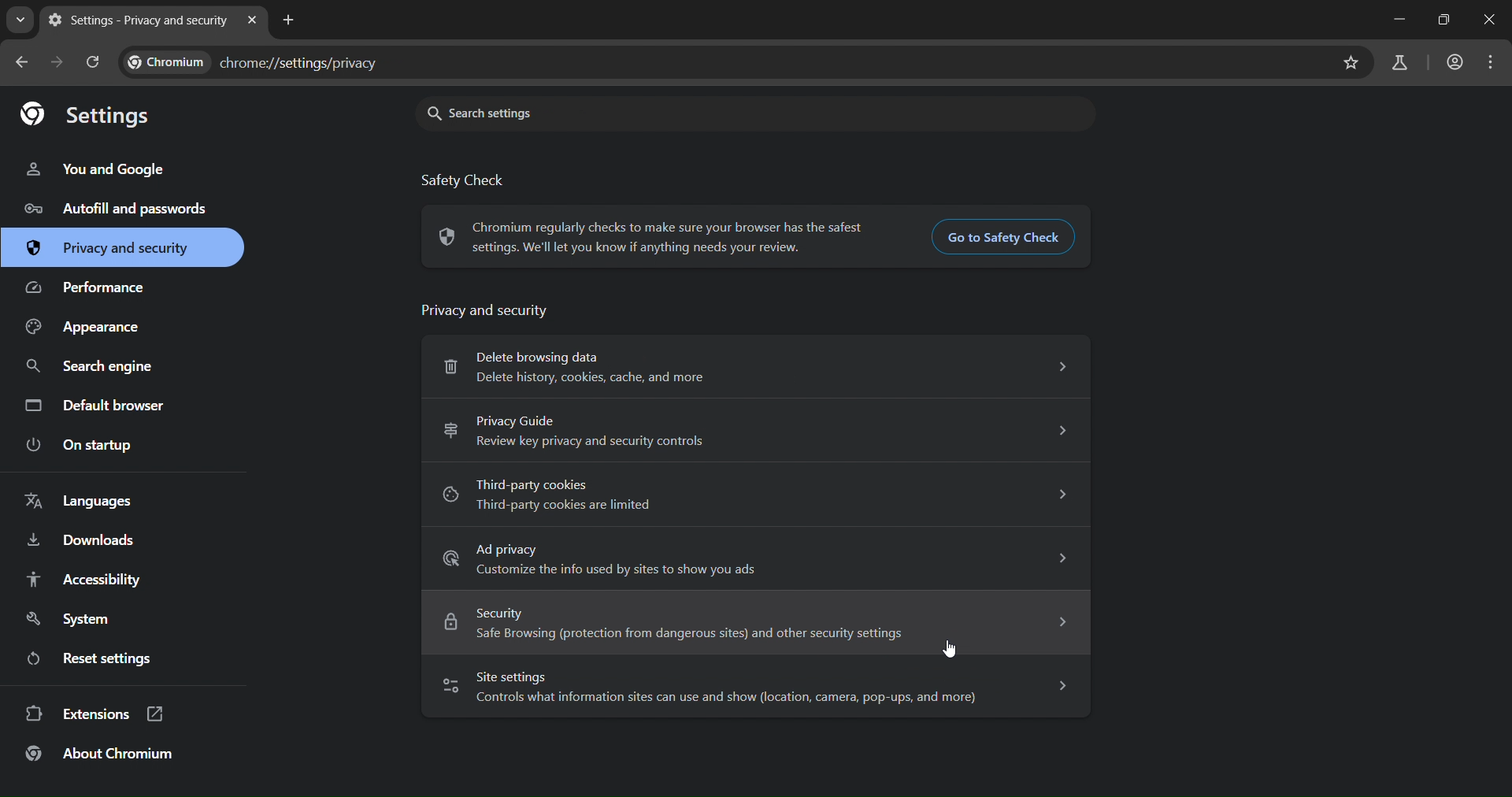 This screenshot has height=797, width=1512. Describe the element at coordinates (72, 617) in the screenshot. I see `system` at that location.